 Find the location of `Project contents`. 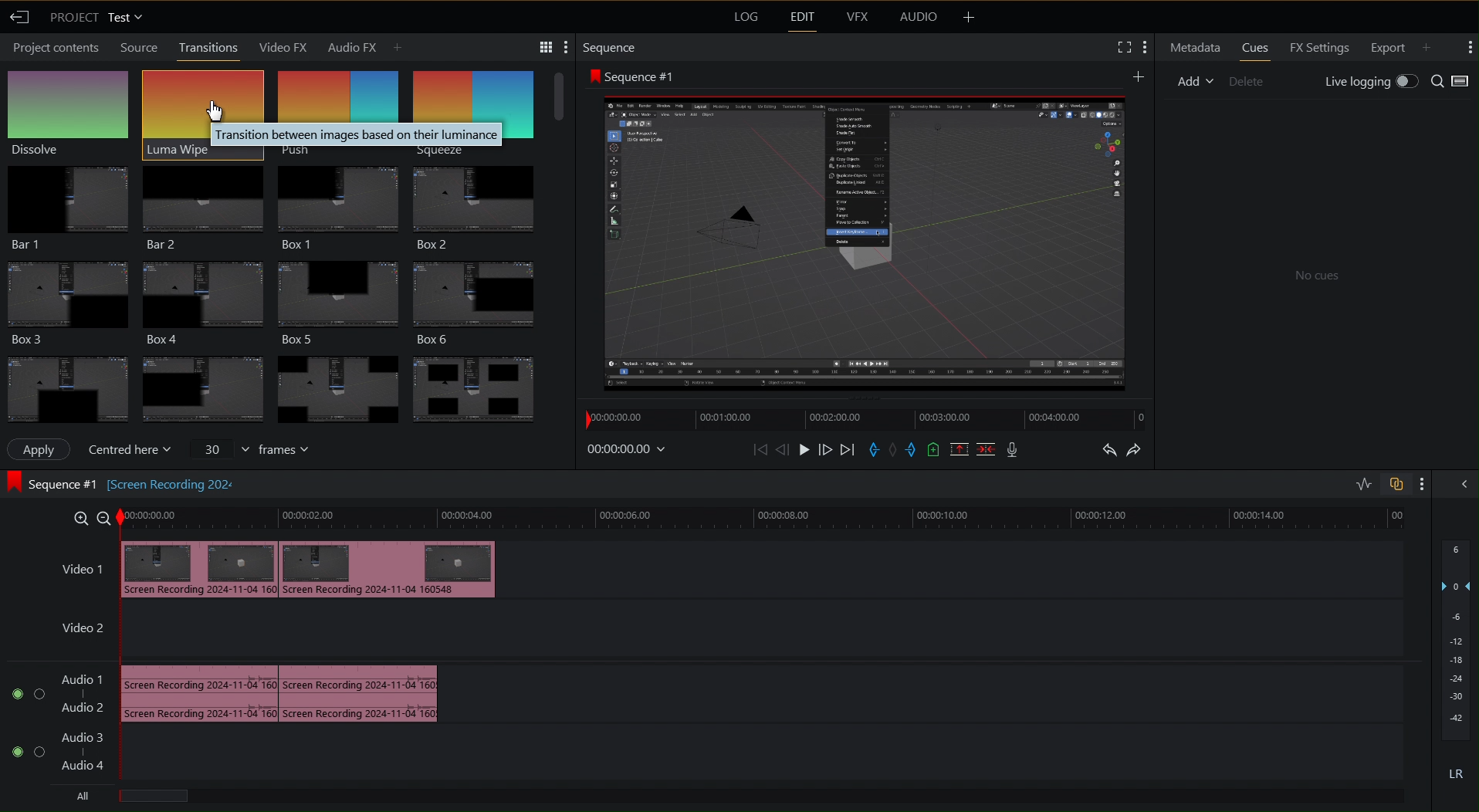

Project contents is located at coordinates (53, 49).